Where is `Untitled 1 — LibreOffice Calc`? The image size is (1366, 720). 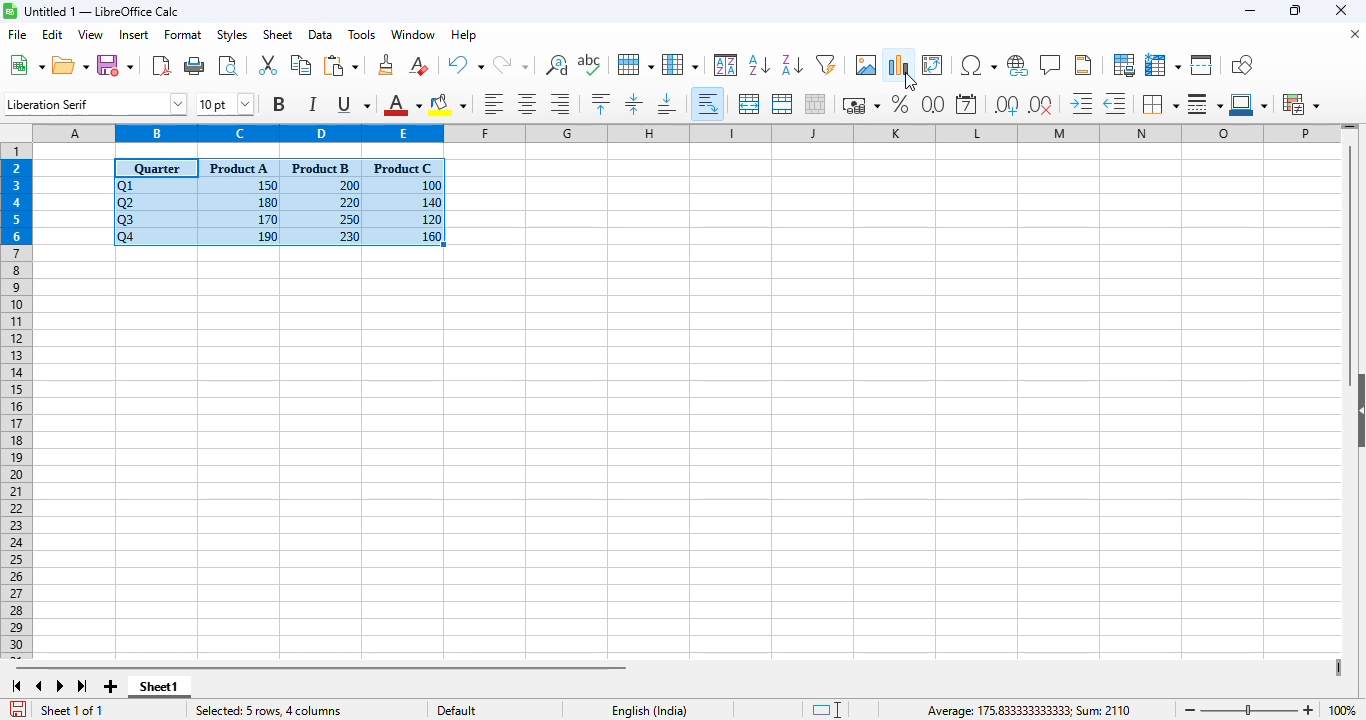
Untitled 1 — LibreOffice Calc is located at coordinates (102, 11).